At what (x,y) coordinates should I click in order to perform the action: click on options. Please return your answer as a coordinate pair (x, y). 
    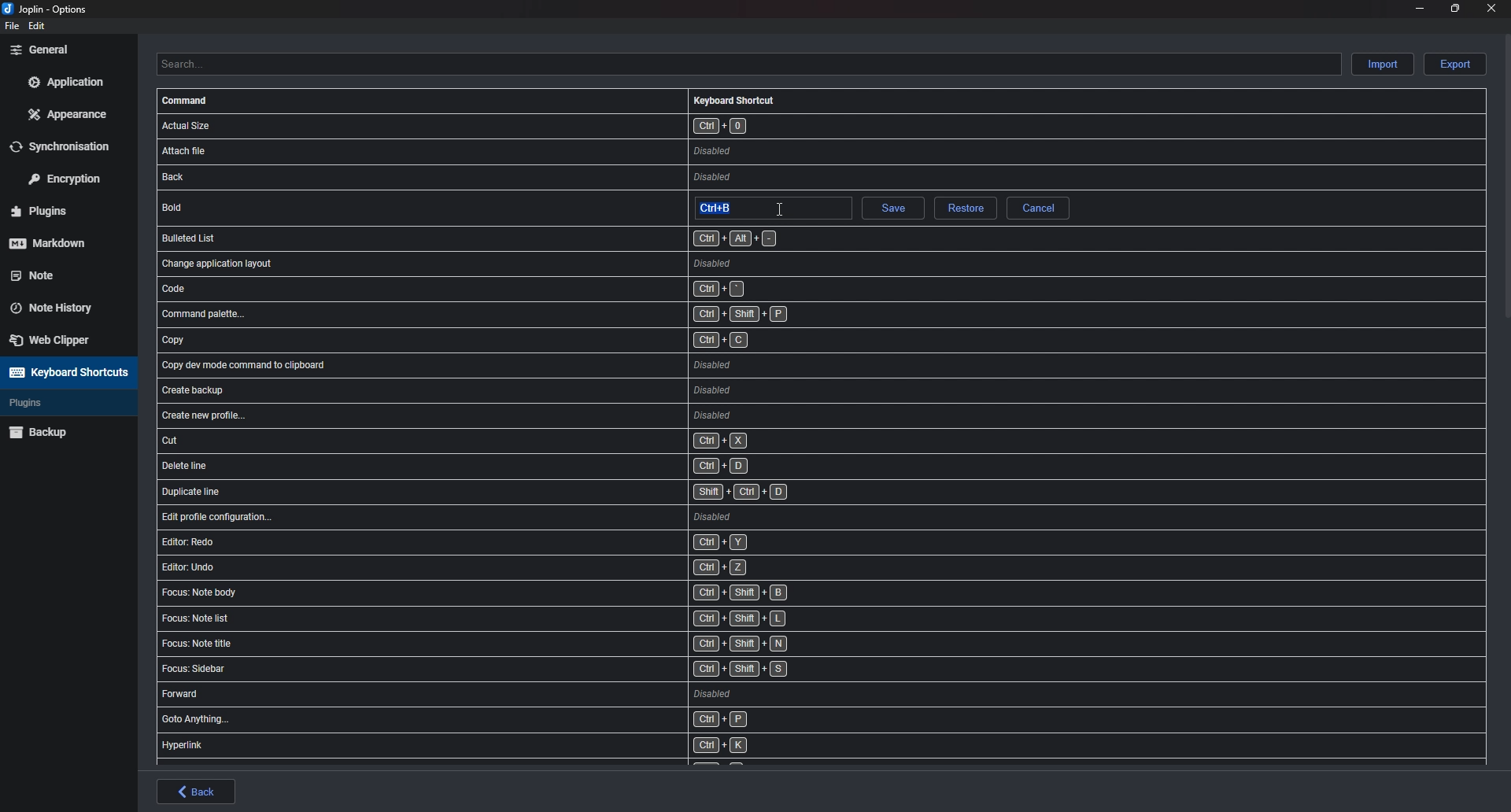
    Looking at the image, I should click on (49, 10).